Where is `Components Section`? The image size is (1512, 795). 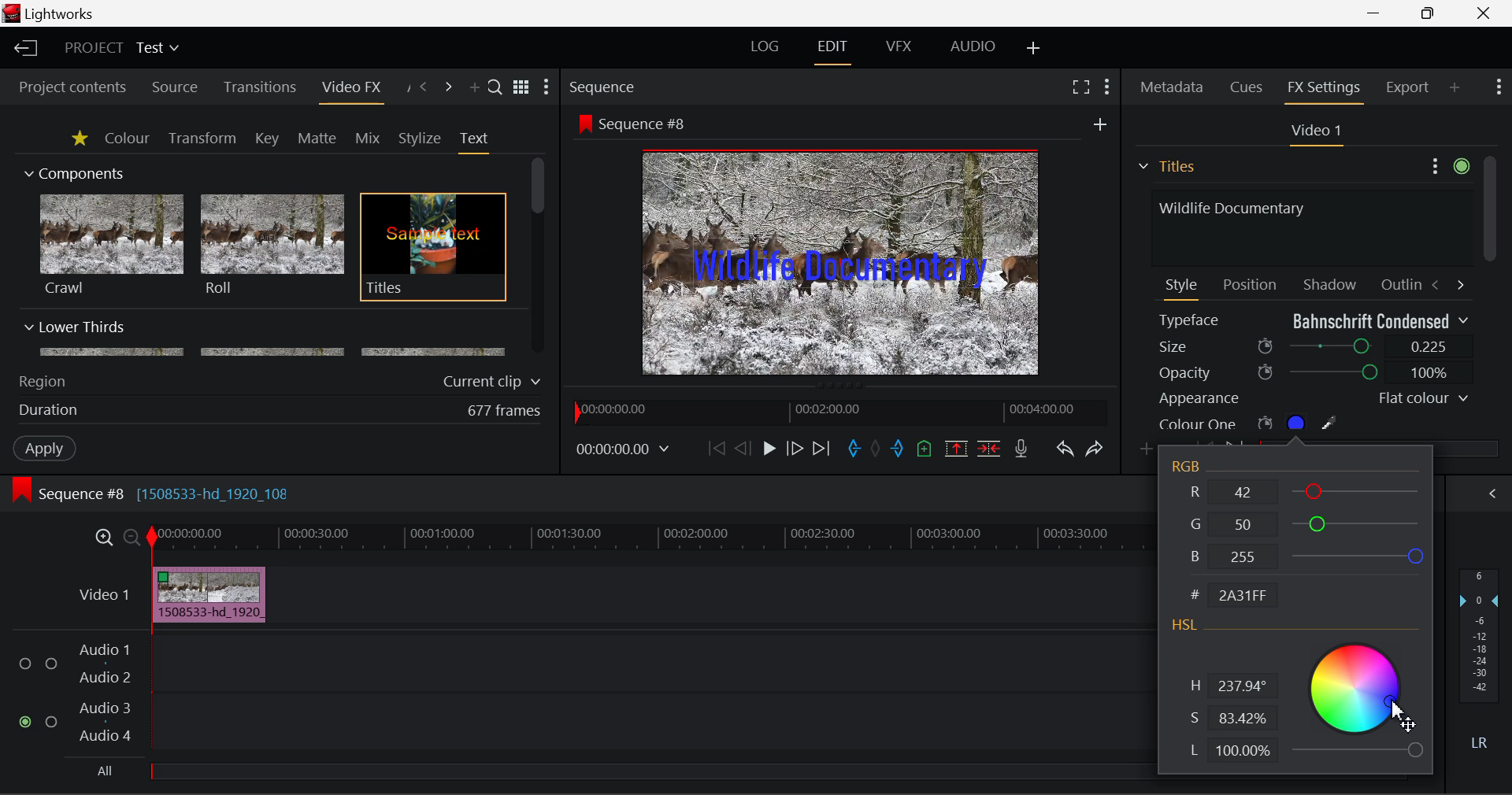
Components Section is located at coordinates (72, 170).